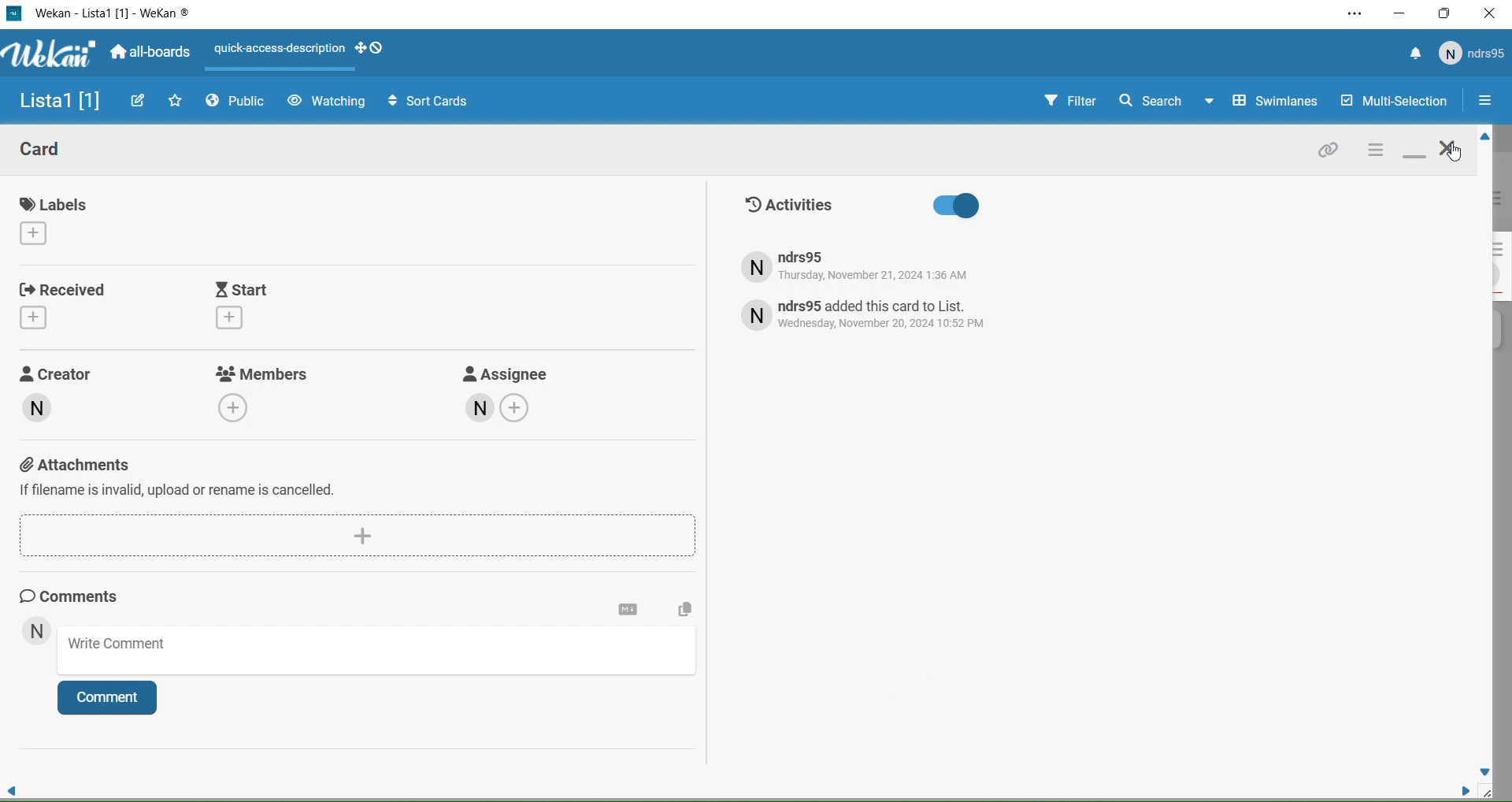  Describe the element at coordinates (1482, 138) in the screenshot. I see `move up` at that location.